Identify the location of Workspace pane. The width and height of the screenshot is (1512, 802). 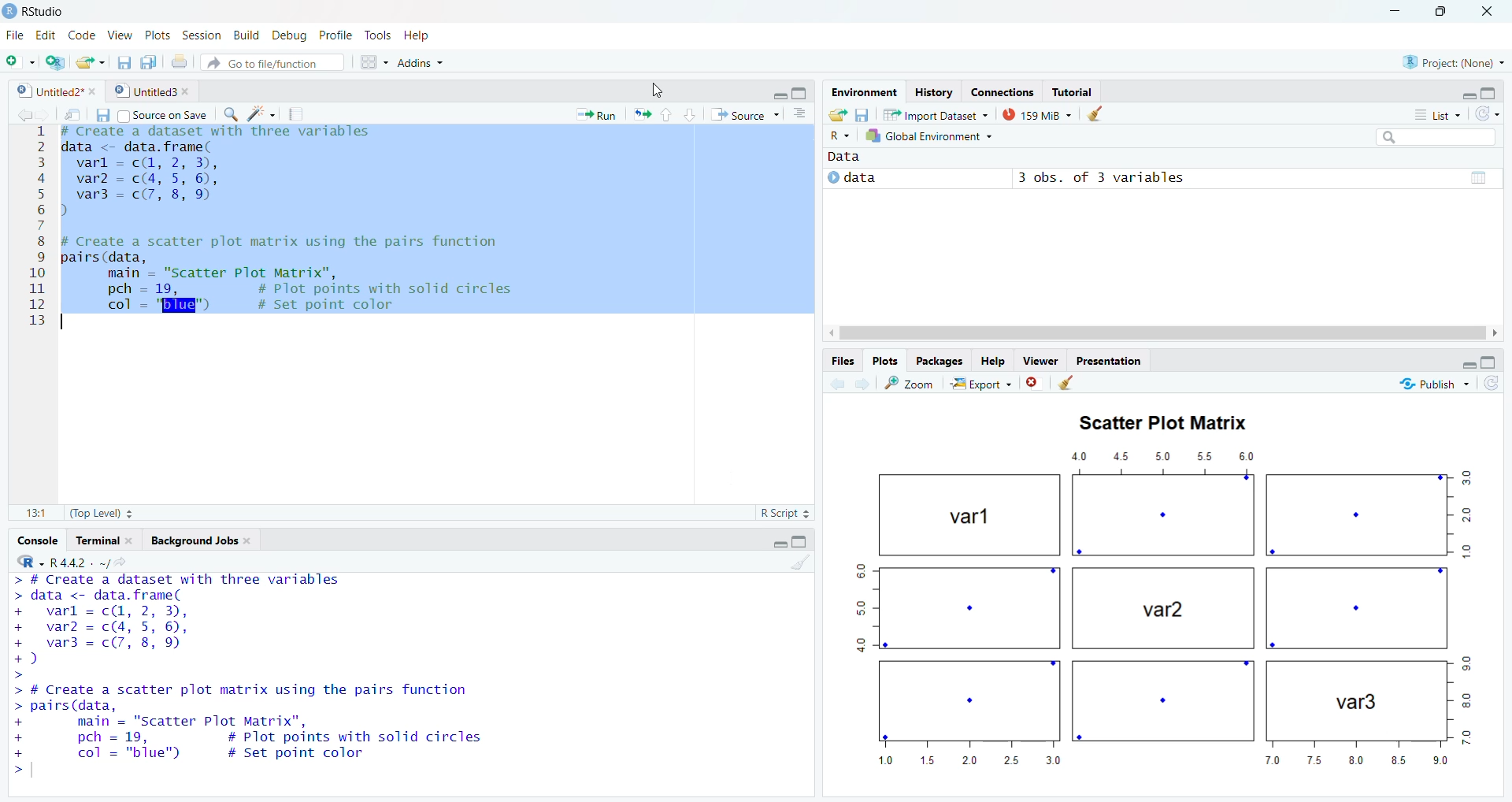
(370, 64).